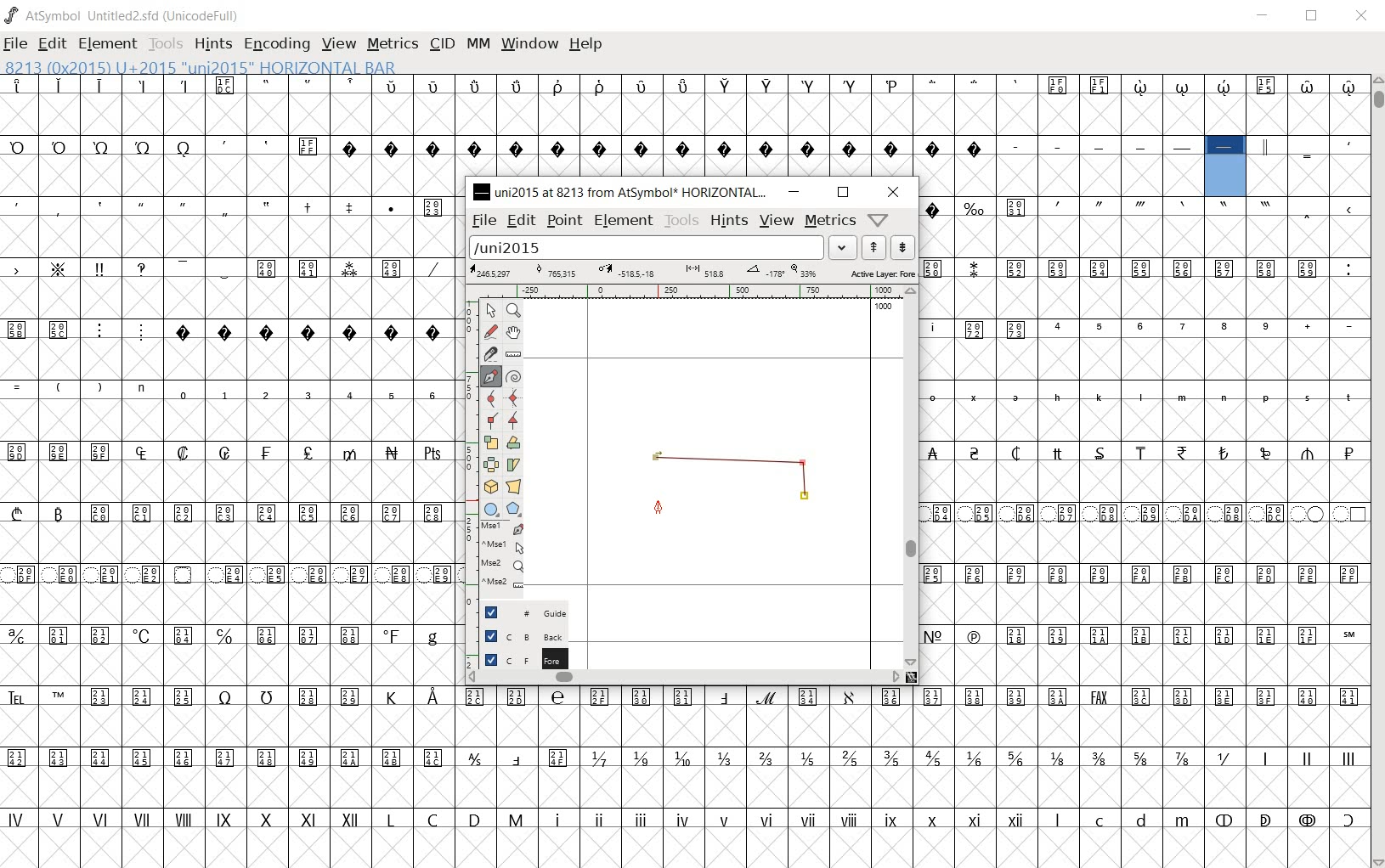 The image size is (1385, 868). Describe the element at coordinates (515, 465) in the screenshot. I see `Rotate the selection` at that location.